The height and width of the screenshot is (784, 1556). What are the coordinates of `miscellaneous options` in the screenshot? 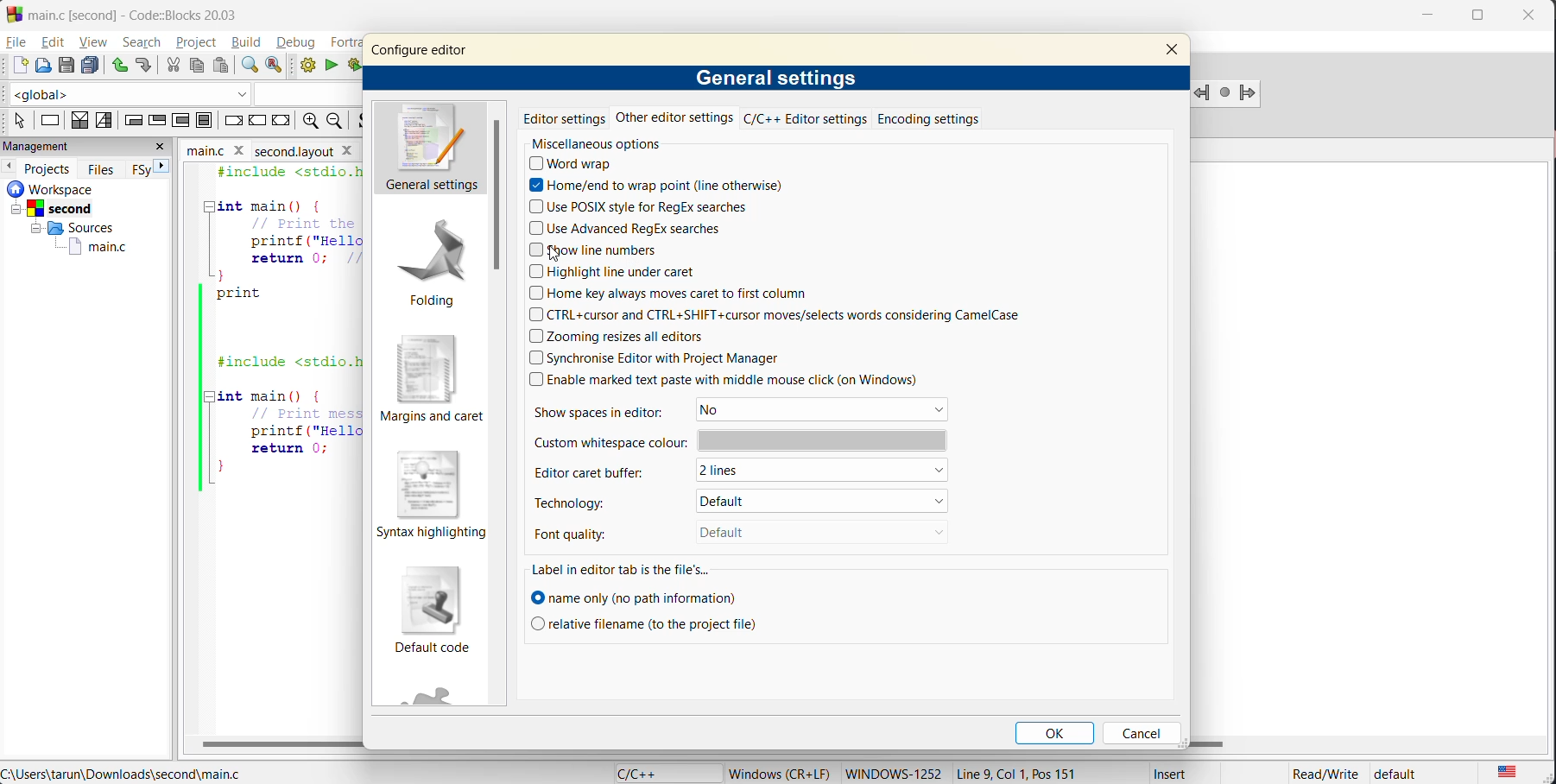 It's located at (601, 142).